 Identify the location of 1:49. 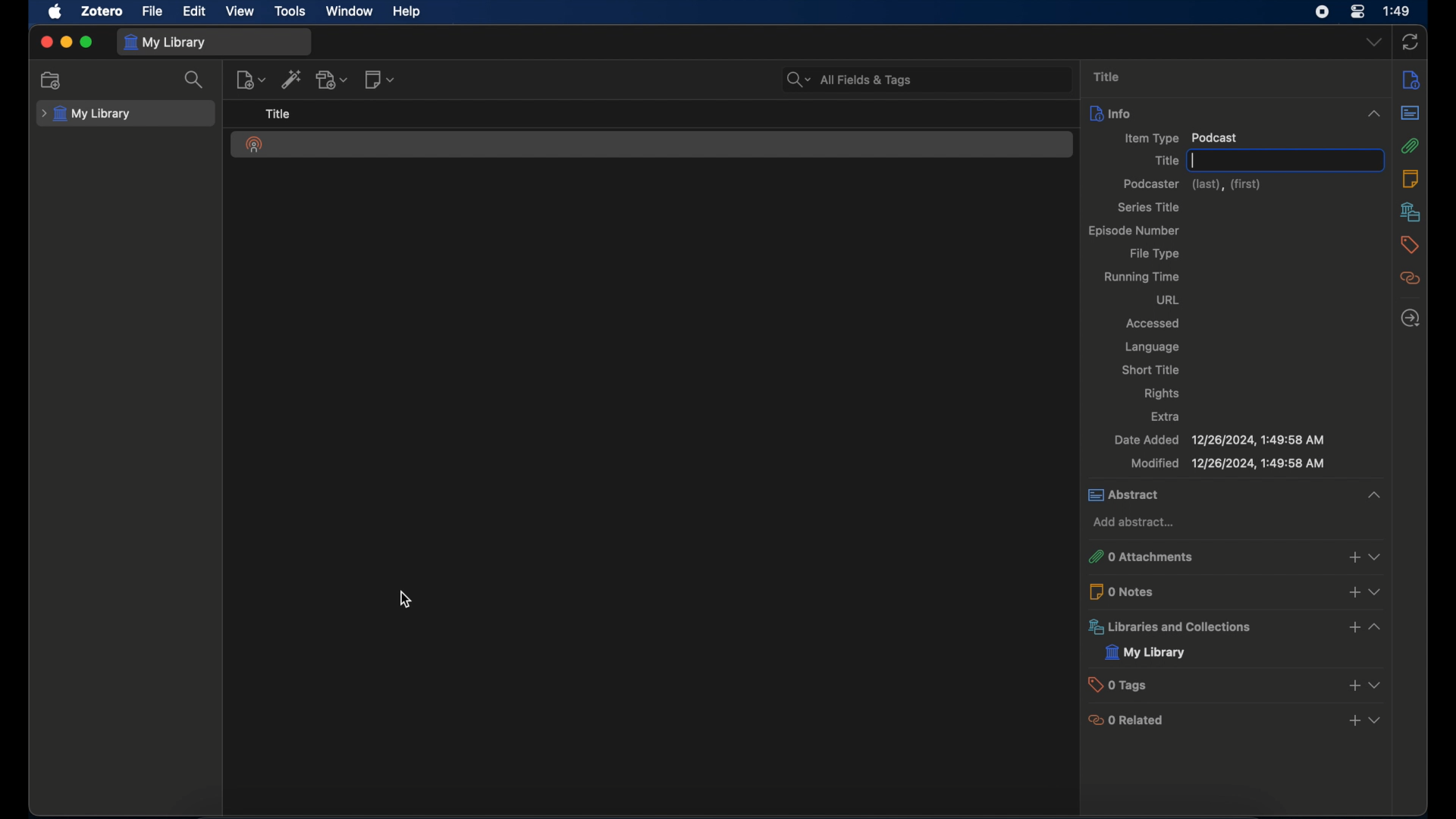
(1397, 10).